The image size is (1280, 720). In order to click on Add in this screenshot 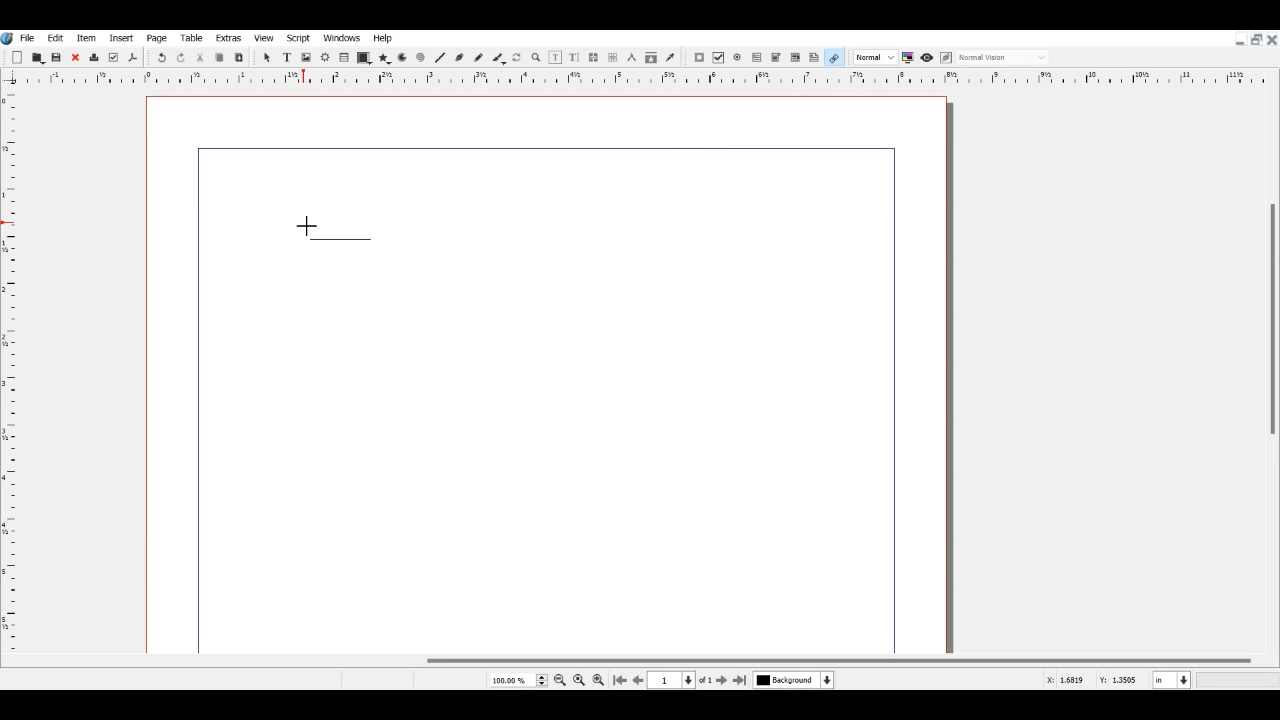, I will do `click(17, 58)`.